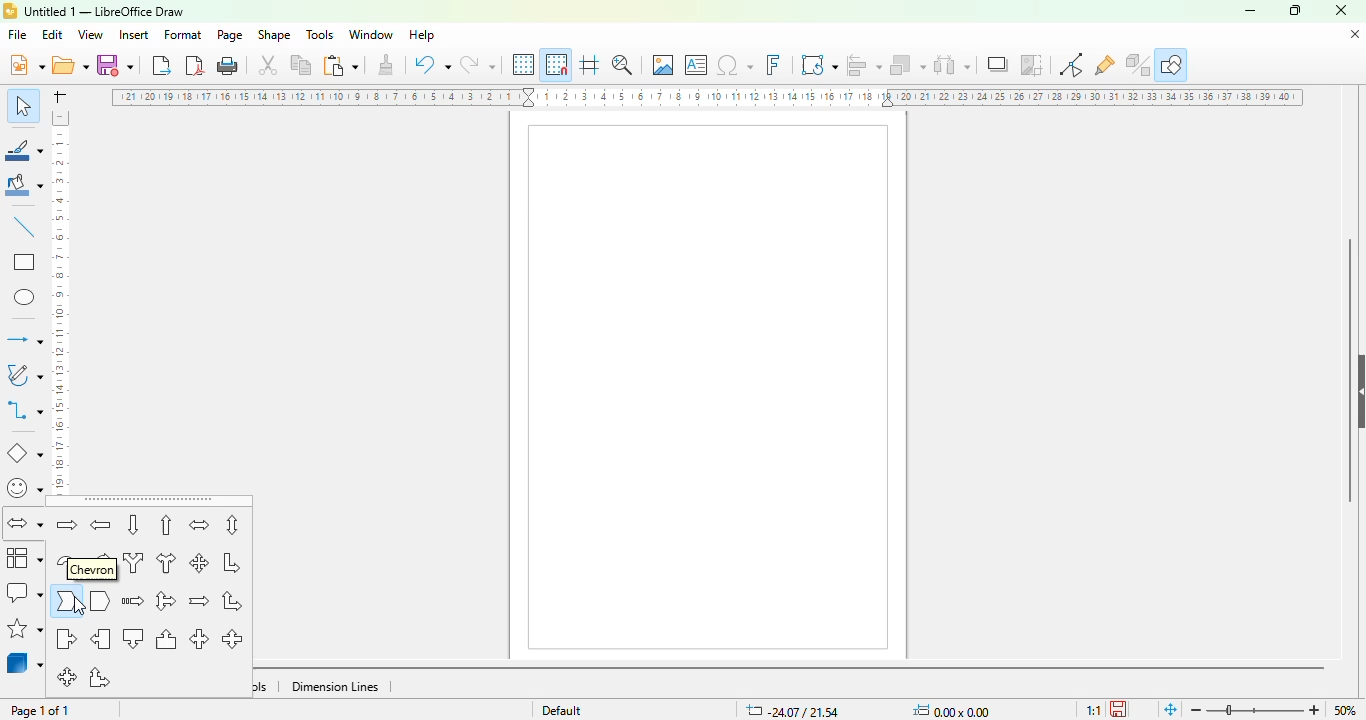 The image size is (1366, 720). Describe the element at coordinates (200, 601) in the screenshot. I see `notched right arrow` at that location.